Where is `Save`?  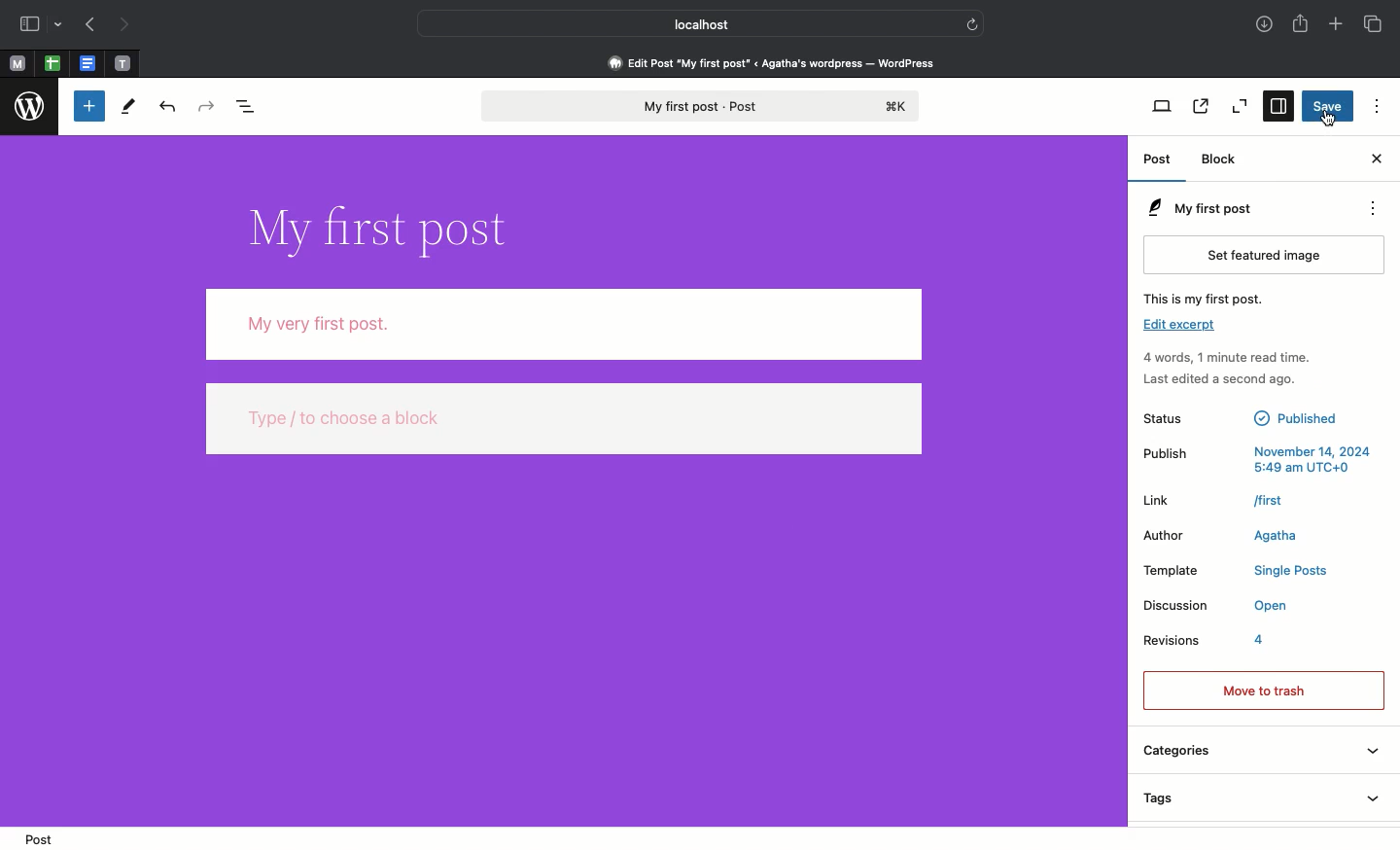
Save is located at coordinates (1329, 106).